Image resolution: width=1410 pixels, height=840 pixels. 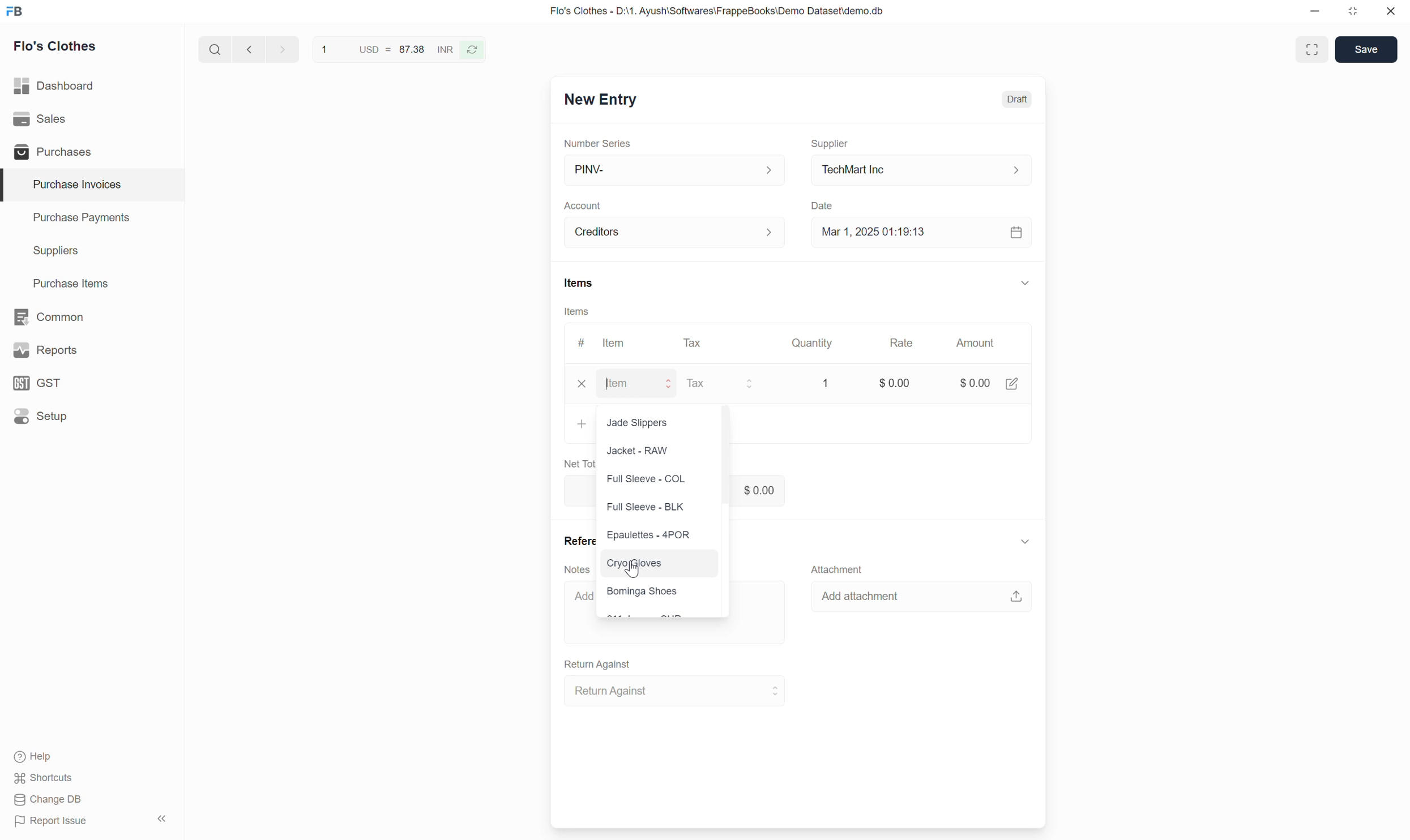 I want to click on Account, so click(x=586, y=202).